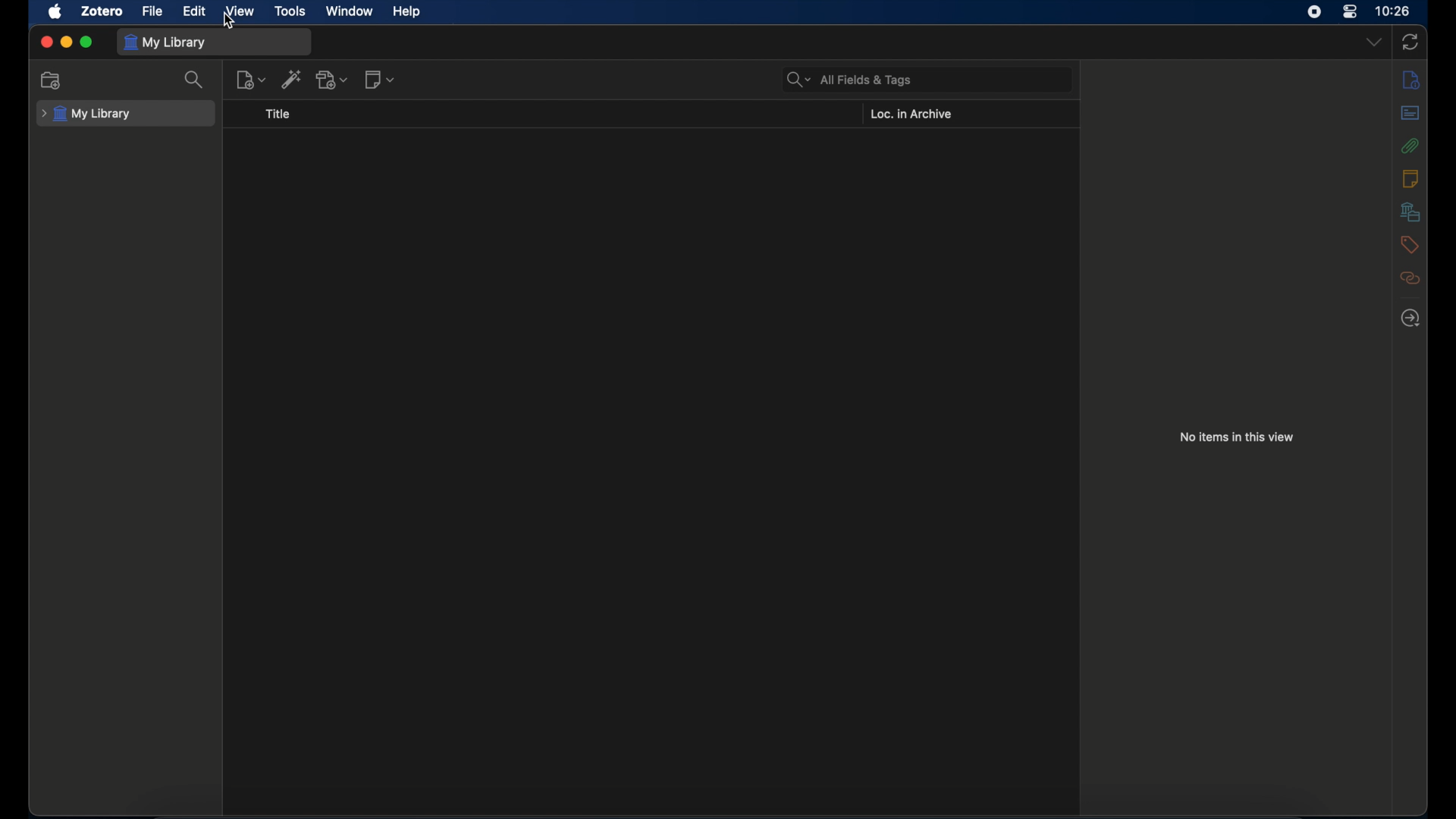  Describe the element at coordinates (240, 11) in the screenshot. I see `view` at that location.